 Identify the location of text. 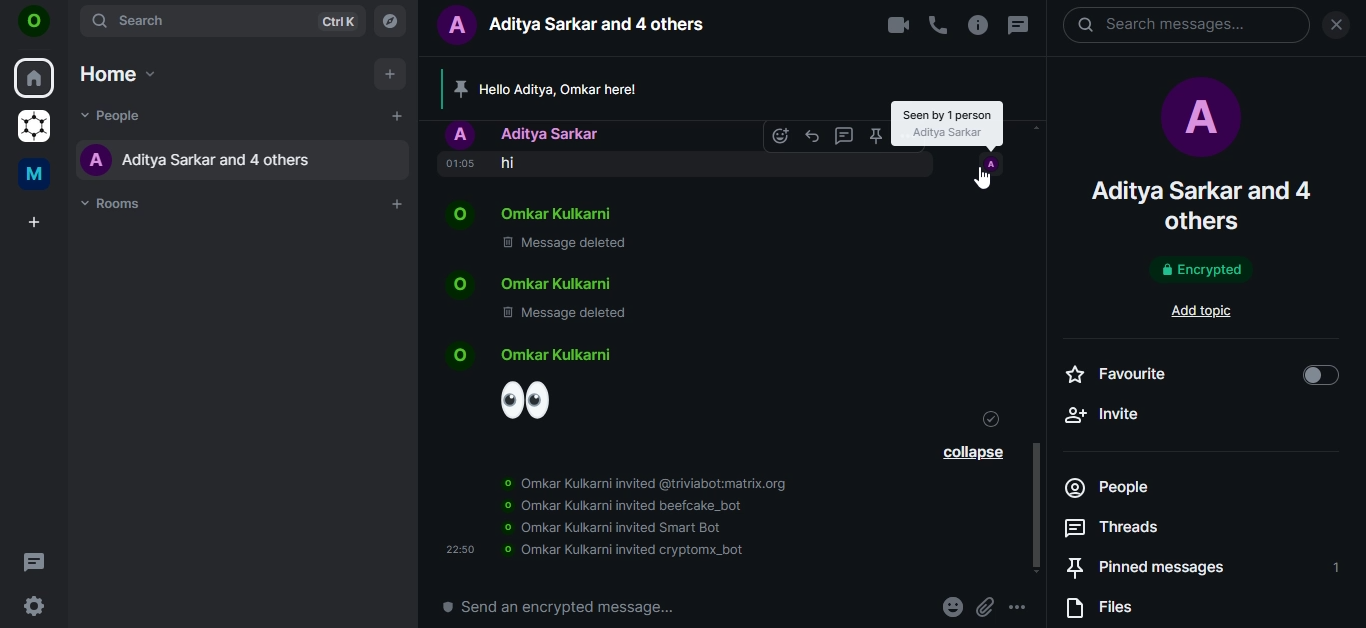
(946, 122).